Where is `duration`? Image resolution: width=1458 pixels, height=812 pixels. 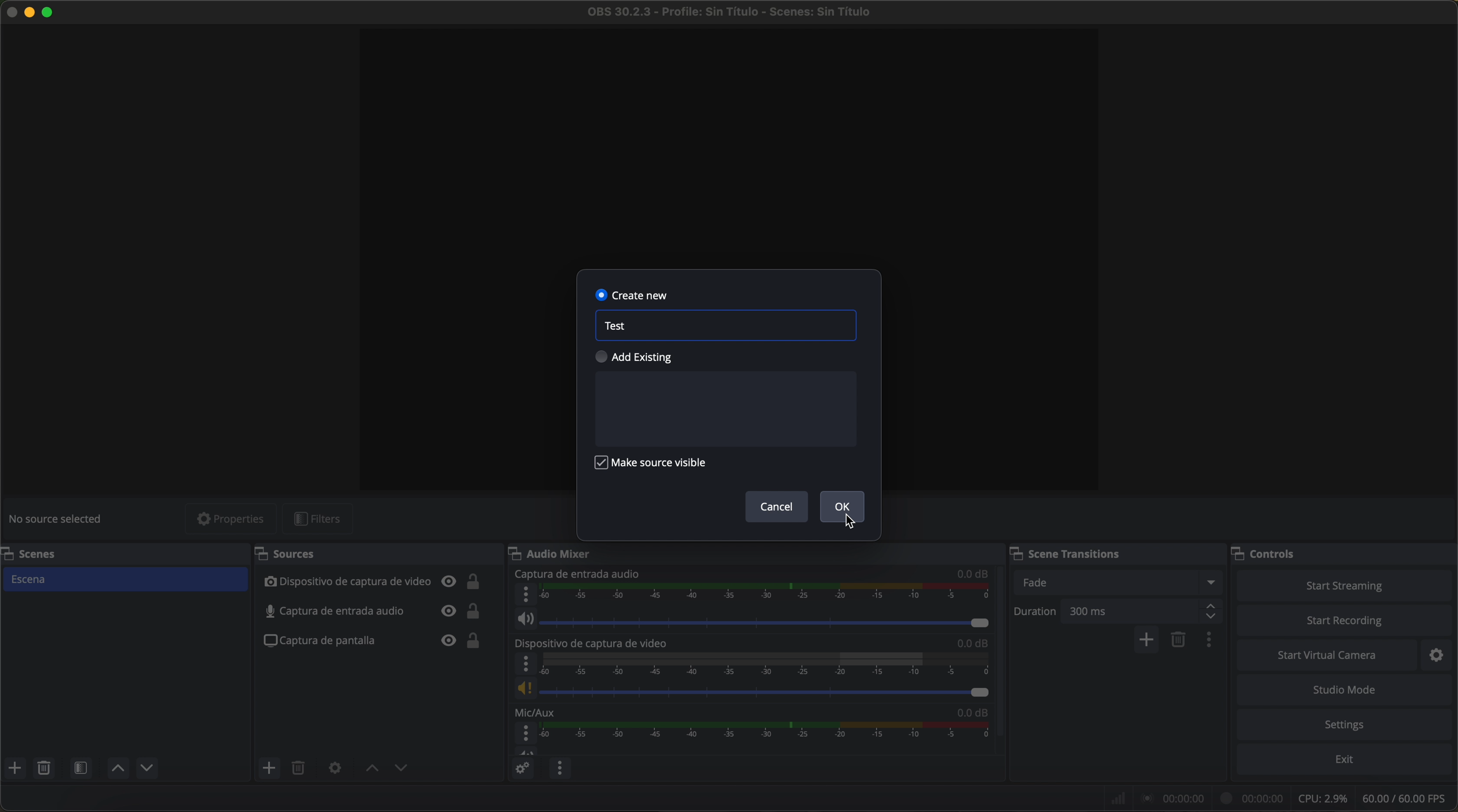 duration is located at coordinates (1036, 613).